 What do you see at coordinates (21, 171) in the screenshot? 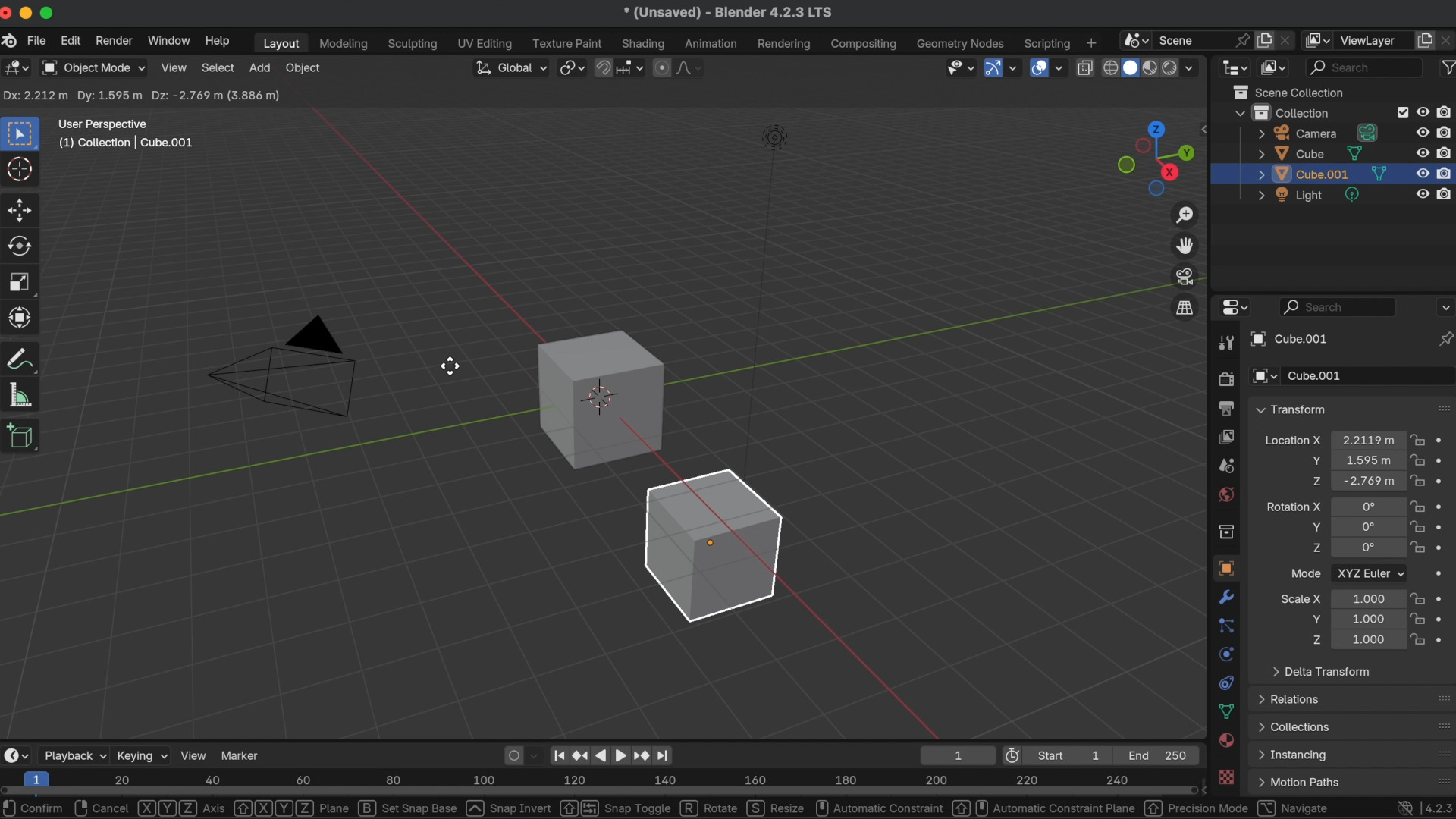
I see `cursor` at bounding box center [21, 171].